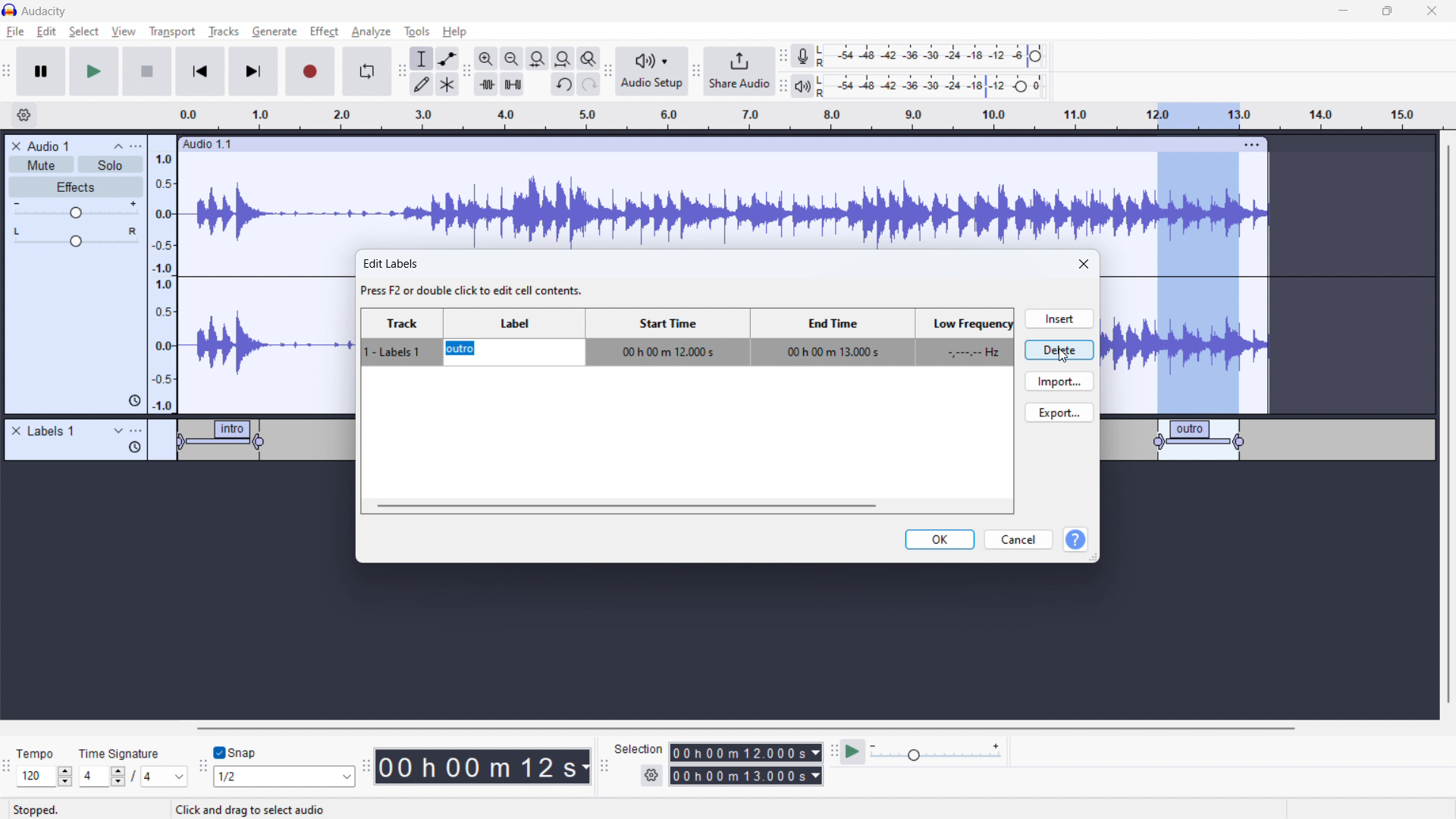 Image resolution: width=1456 pixels, height=819 pixels. What do you see at coordinates (203, 768) in the screenshot?
I see `snapping toolbar` at bounding box center [203, 768].